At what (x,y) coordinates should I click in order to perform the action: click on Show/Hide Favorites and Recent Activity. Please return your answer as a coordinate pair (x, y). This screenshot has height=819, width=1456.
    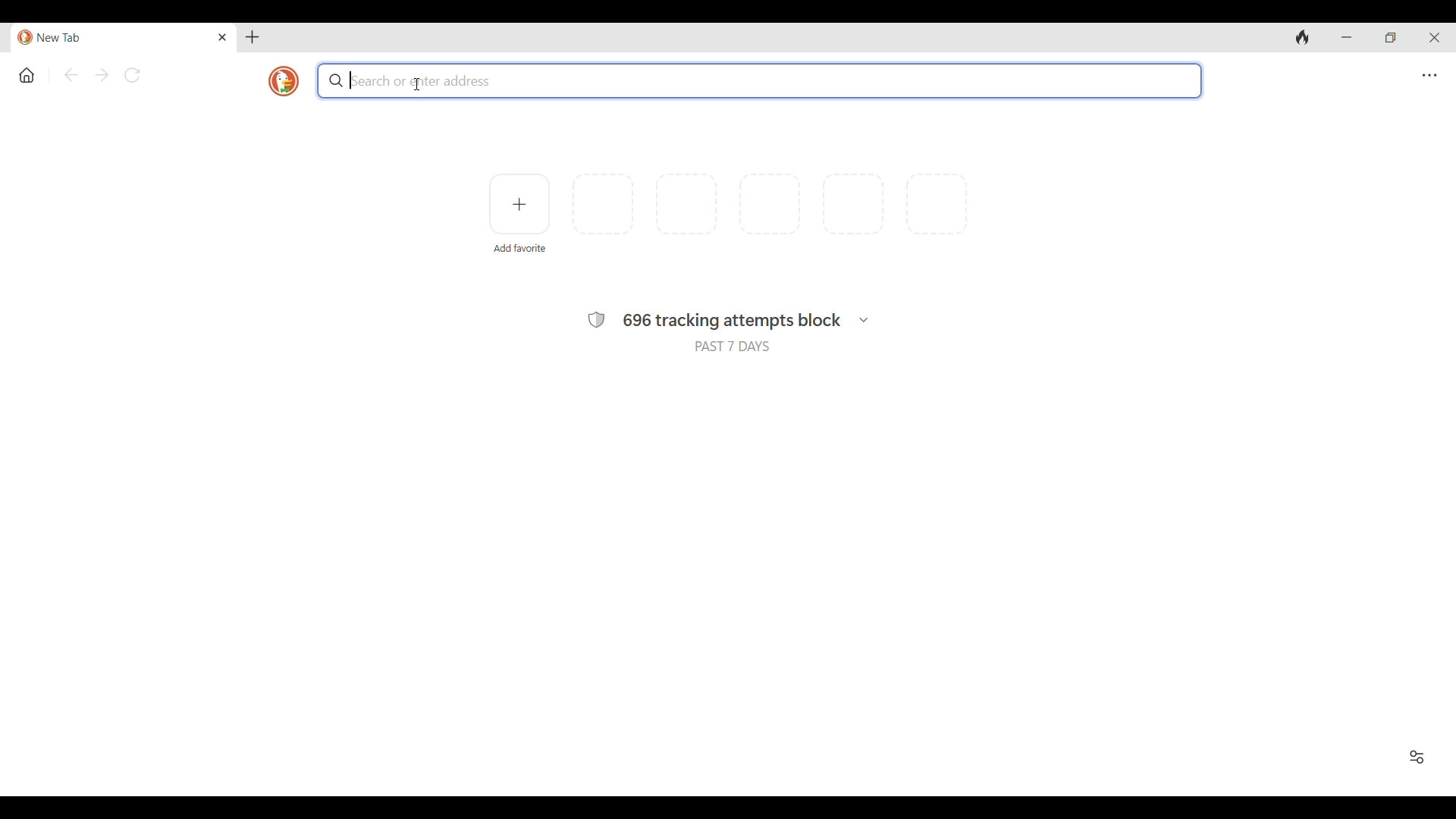
    Looking at the image, I should click on (1417, 757).